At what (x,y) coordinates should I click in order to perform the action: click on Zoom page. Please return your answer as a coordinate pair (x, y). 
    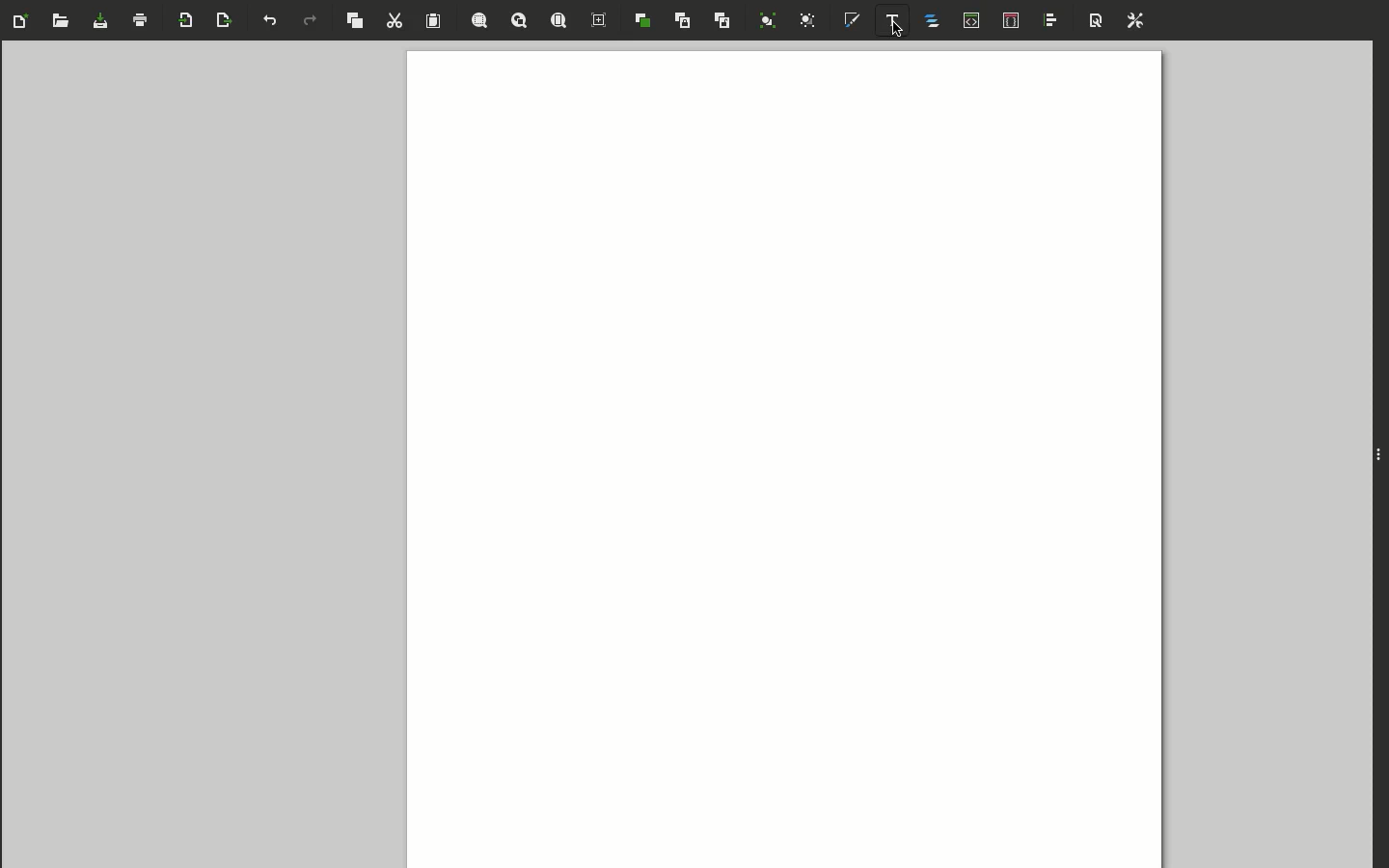
    Looking at the image, I should click on (561, 19).